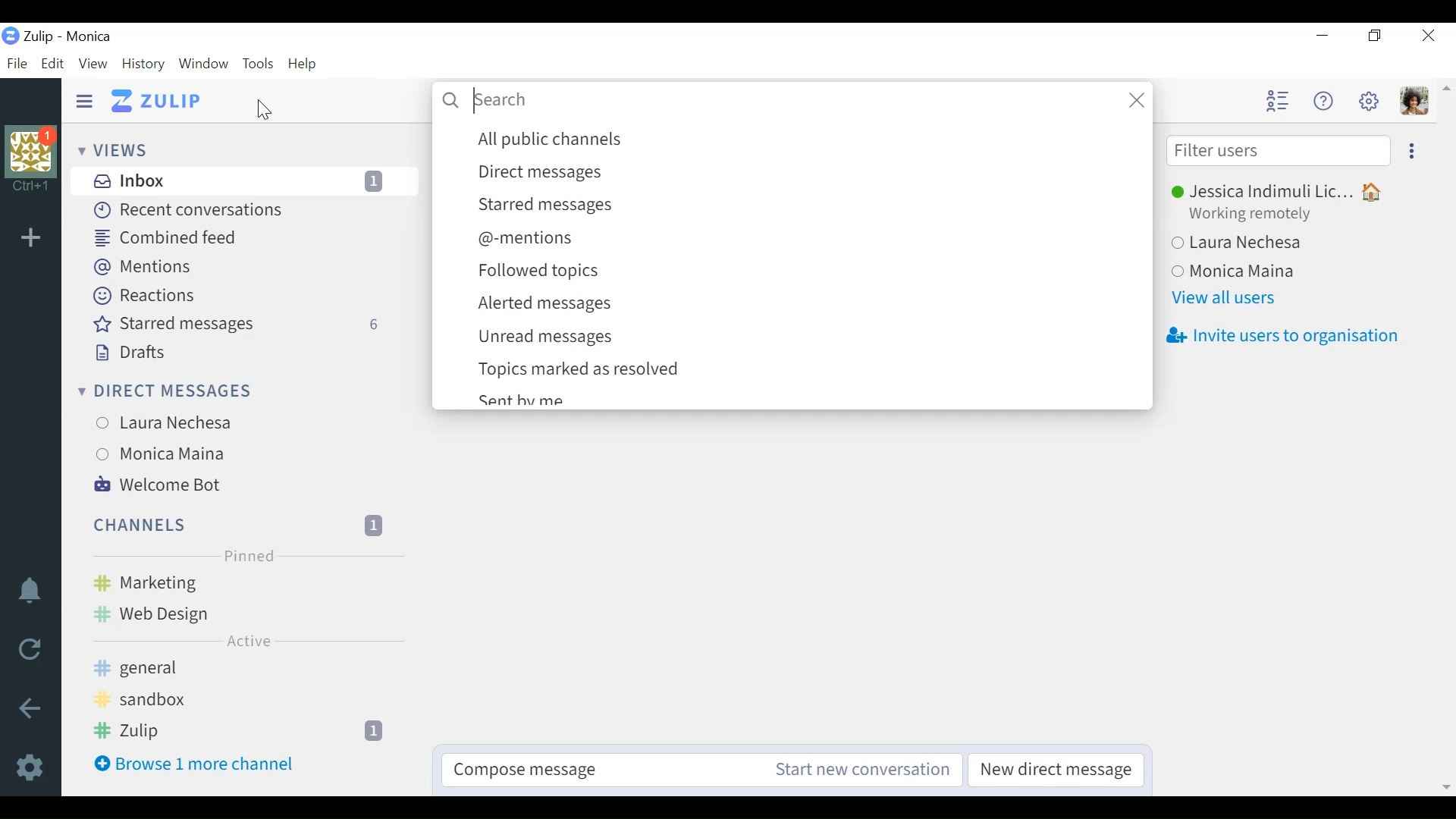 The image size is (1456, 819). I want to click on Go to Home view (Inbox), so click(156, 100).